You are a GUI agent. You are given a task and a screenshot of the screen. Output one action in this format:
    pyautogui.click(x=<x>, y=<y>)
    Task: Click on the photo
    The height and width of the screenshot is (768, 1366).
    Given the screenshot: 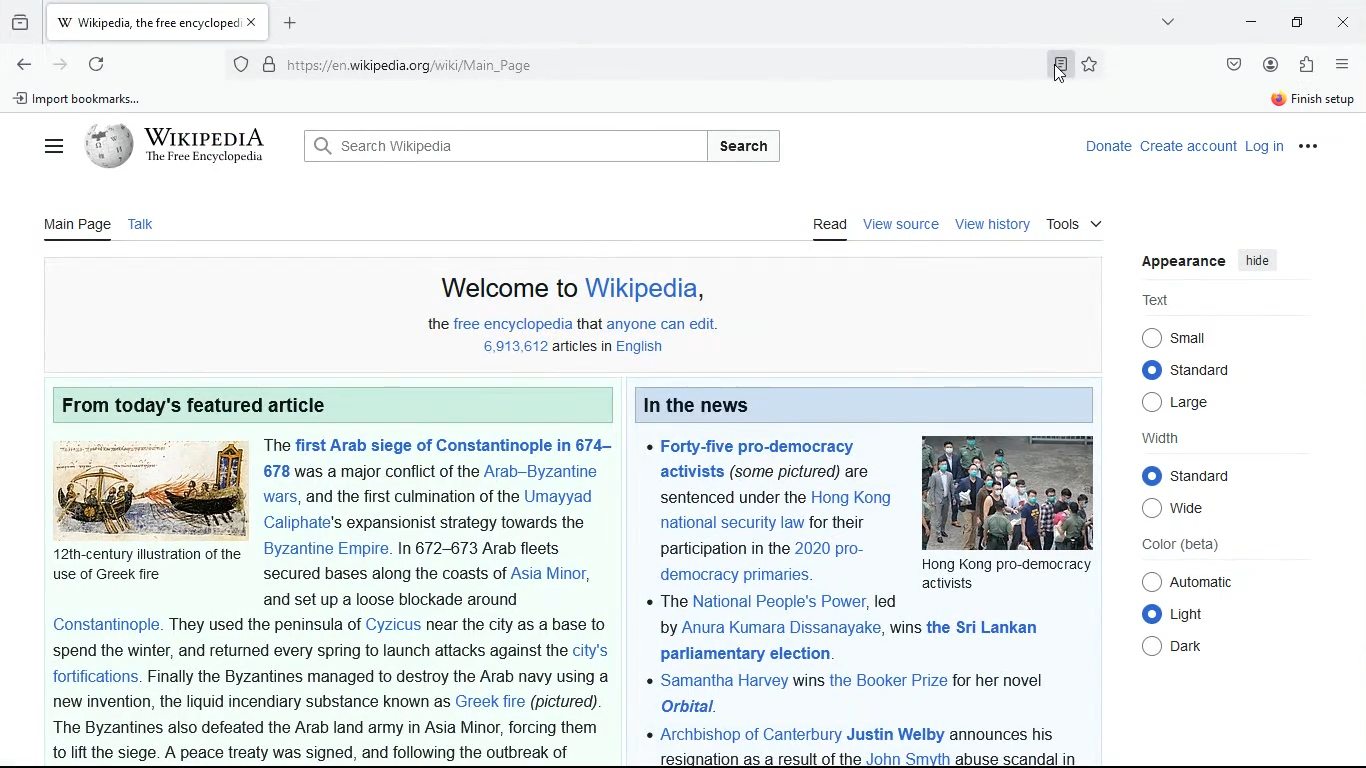 What is the action you would take?
    pyautogui.click(x=1009, y=491)
    